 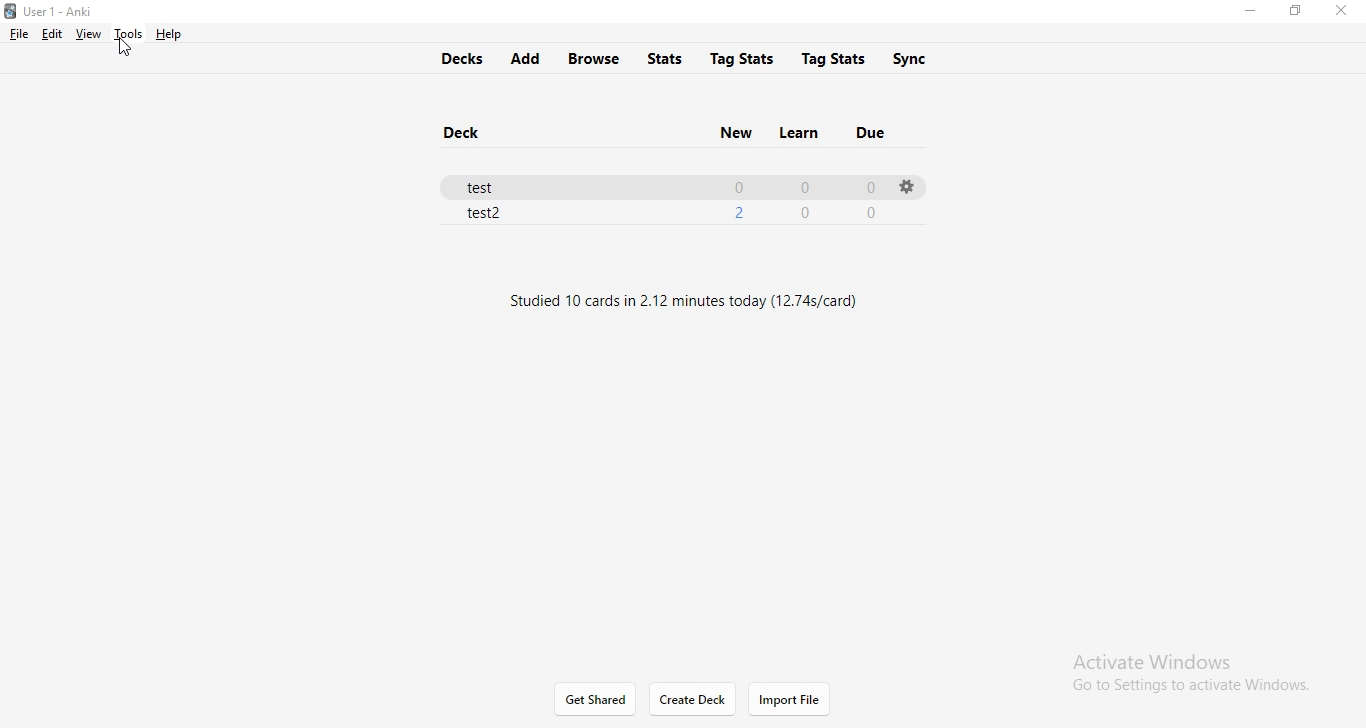 What do you see at coordinates (1297, 13) in the screenshot?
I see `restore` at bounding box center [1297, 13].